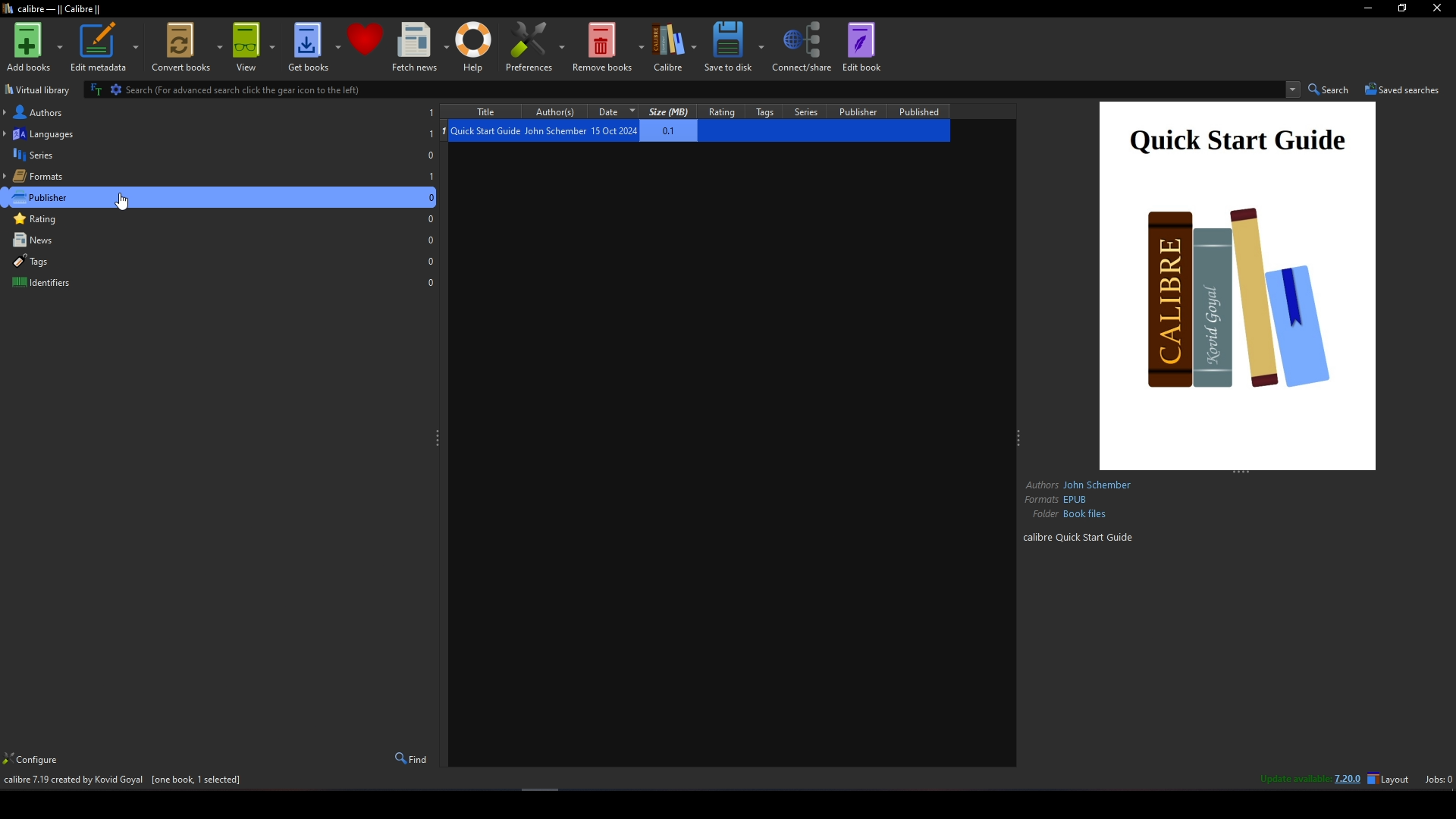 Image resolution: width=1456 pixels, height=819 pixels. Describe the element at coordinates (39, 89) in the screenshot. I see `Virtual library` at that location.